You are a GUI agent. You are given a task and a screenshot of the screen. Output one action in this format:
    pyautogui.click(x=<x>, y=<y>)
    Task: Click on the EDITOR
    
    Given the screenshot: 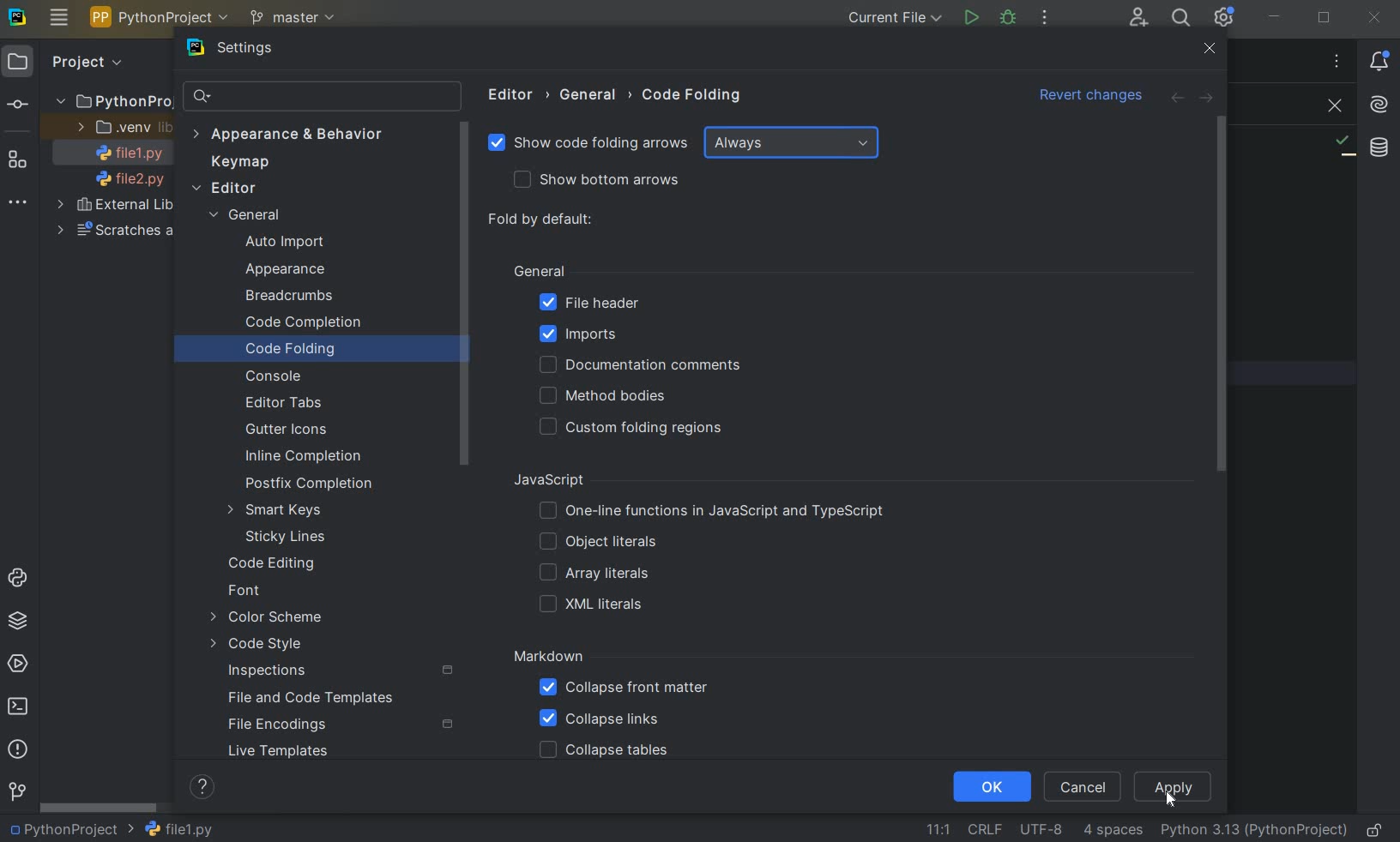 What is the action you would take?
    pyautogui.click(x=226, y=189)
    